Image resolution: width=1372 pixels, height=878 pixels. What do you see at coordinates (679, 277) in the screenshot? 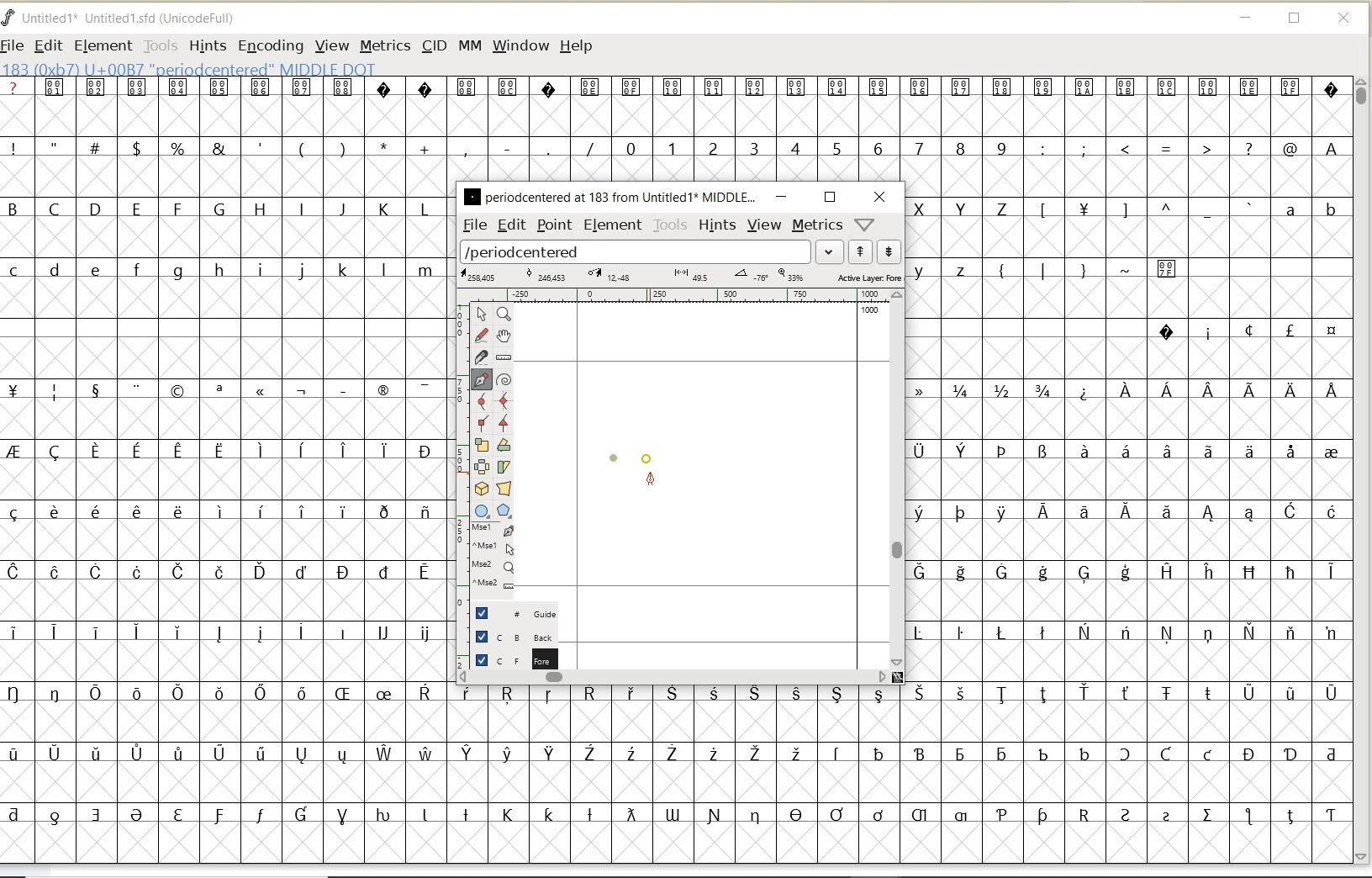
I see `active layer` at bounding box center [679, 277].